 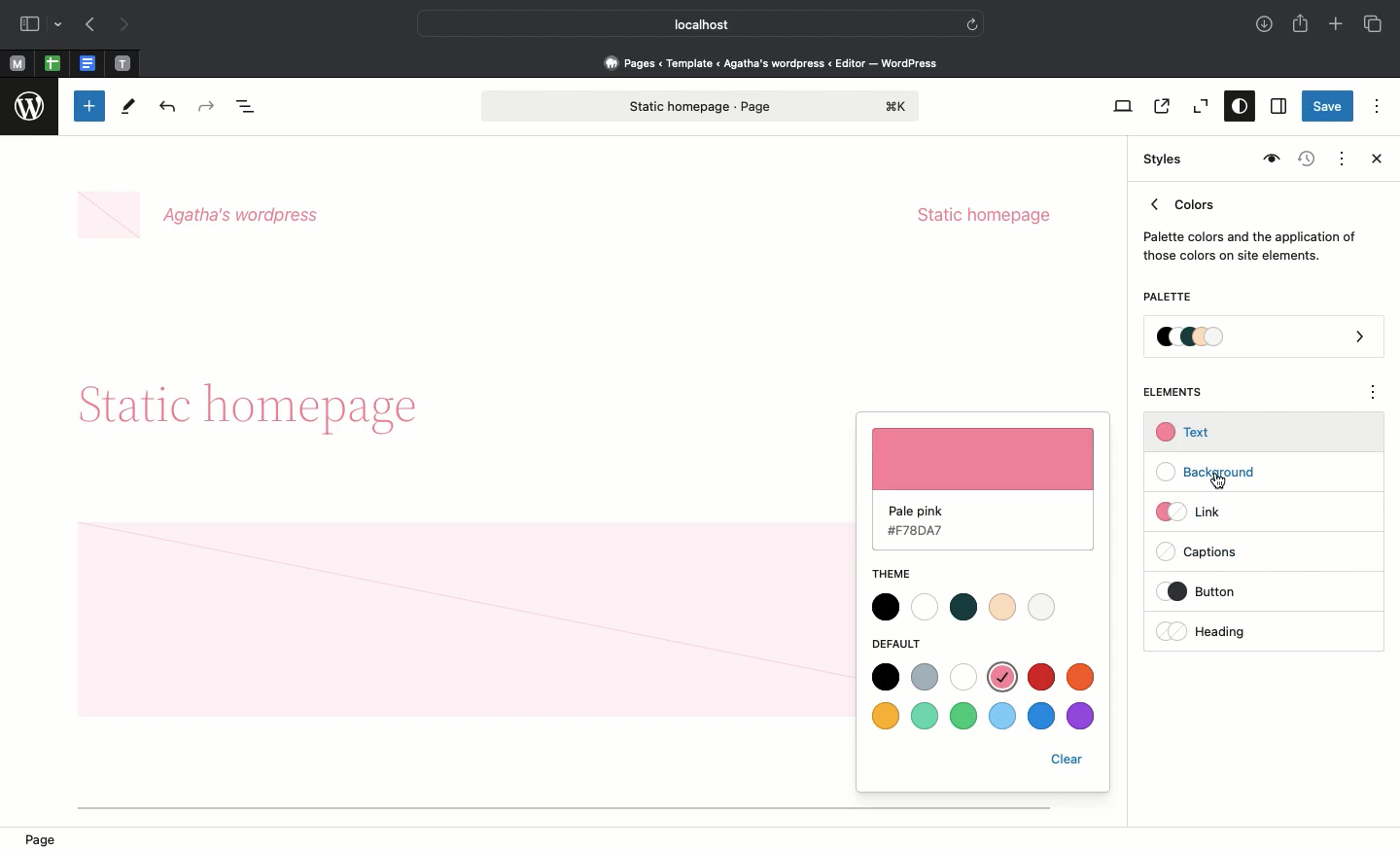 I want to click on Foreground color changed, so click(x=984, y=491).